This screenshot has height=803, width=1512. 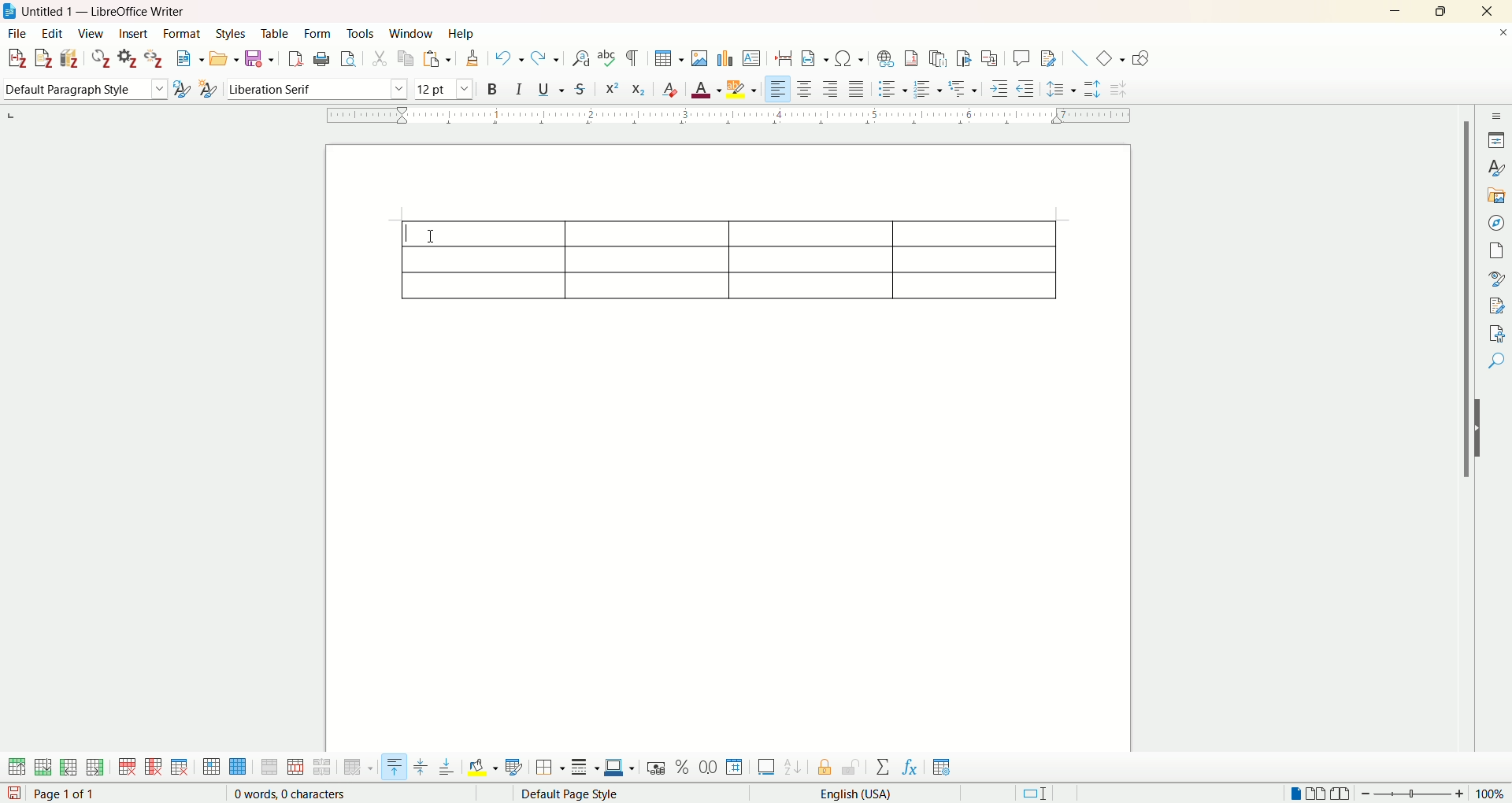 I want to click on gallery, so click(x=1495, y=198).